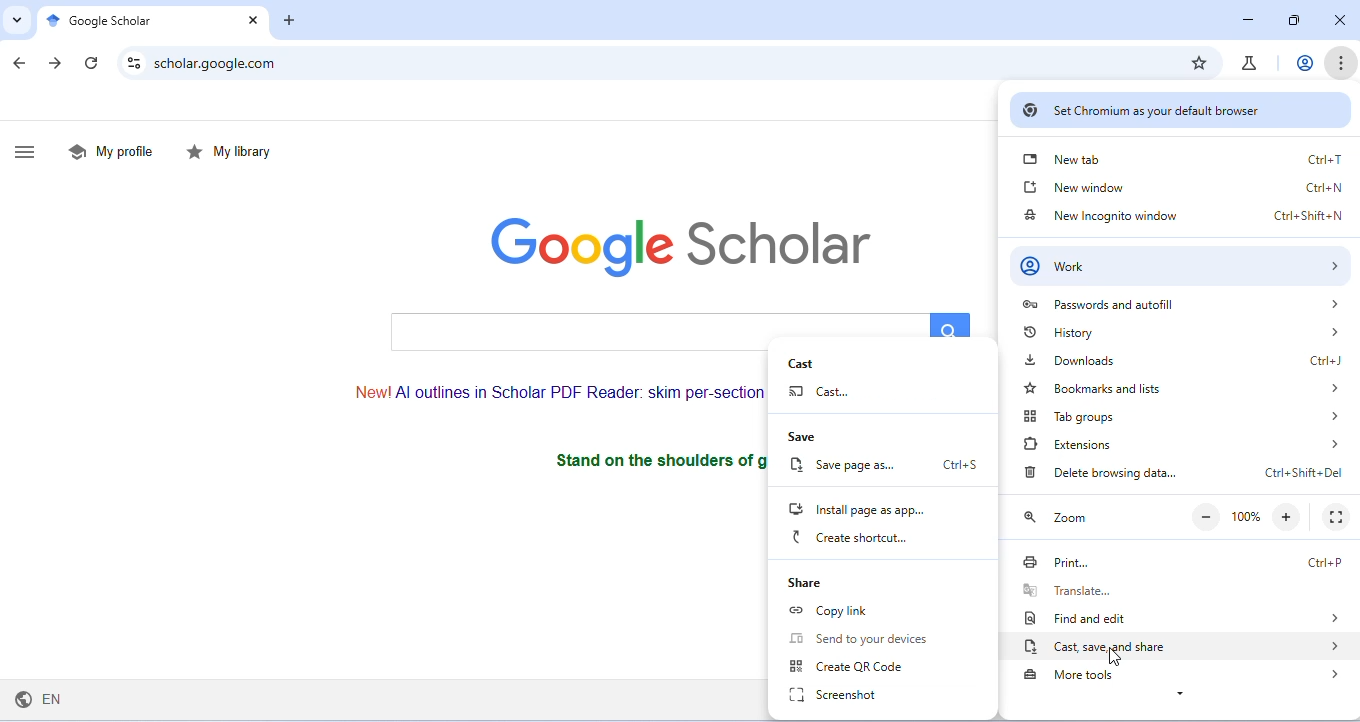  I want to click on search bar, so click(676, 324).